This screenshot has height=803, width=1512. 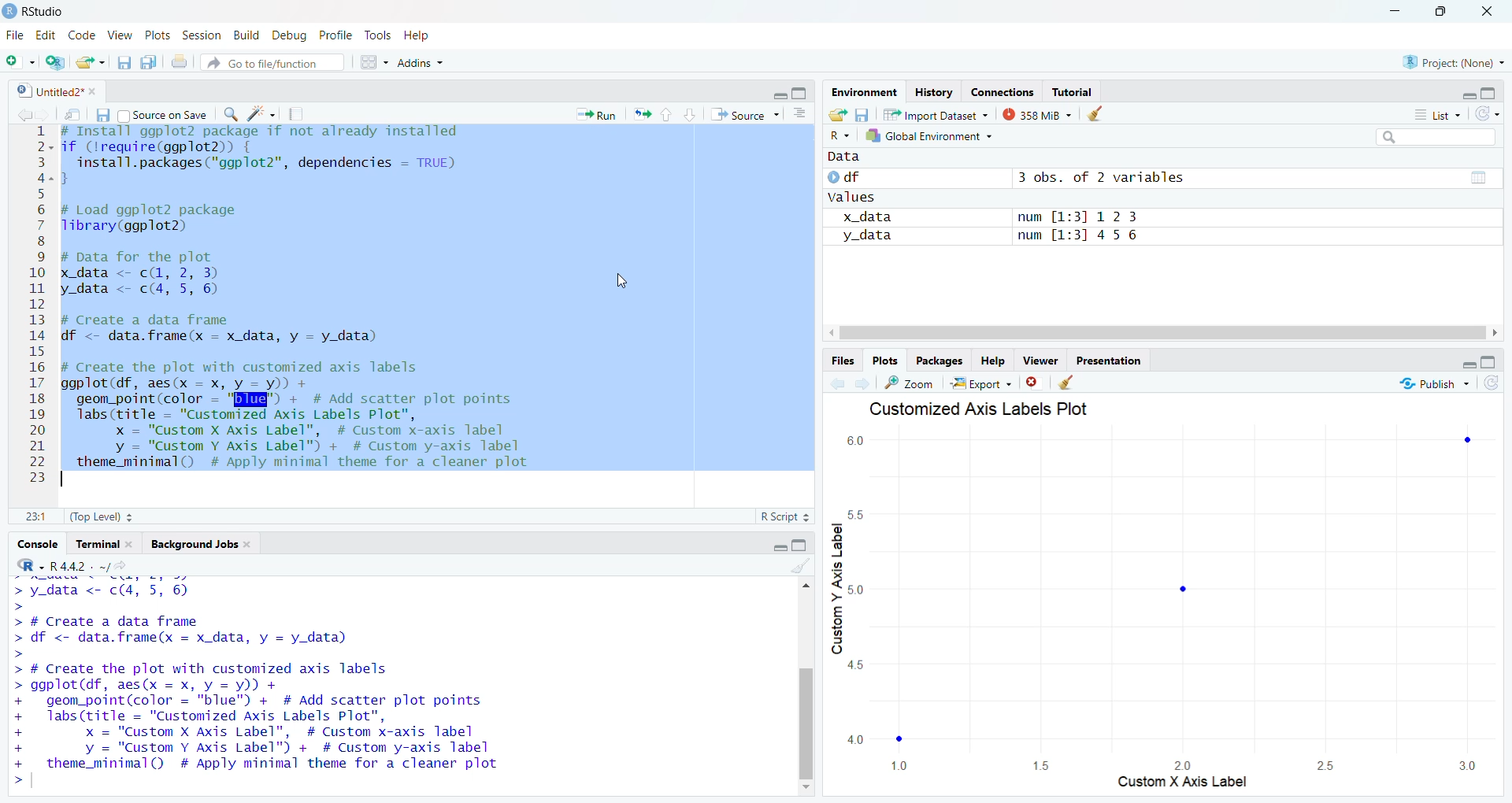 What do you see at coordinates (910, 382) in the screenshot?
I see `zoom` at bounding box center [910, 382].